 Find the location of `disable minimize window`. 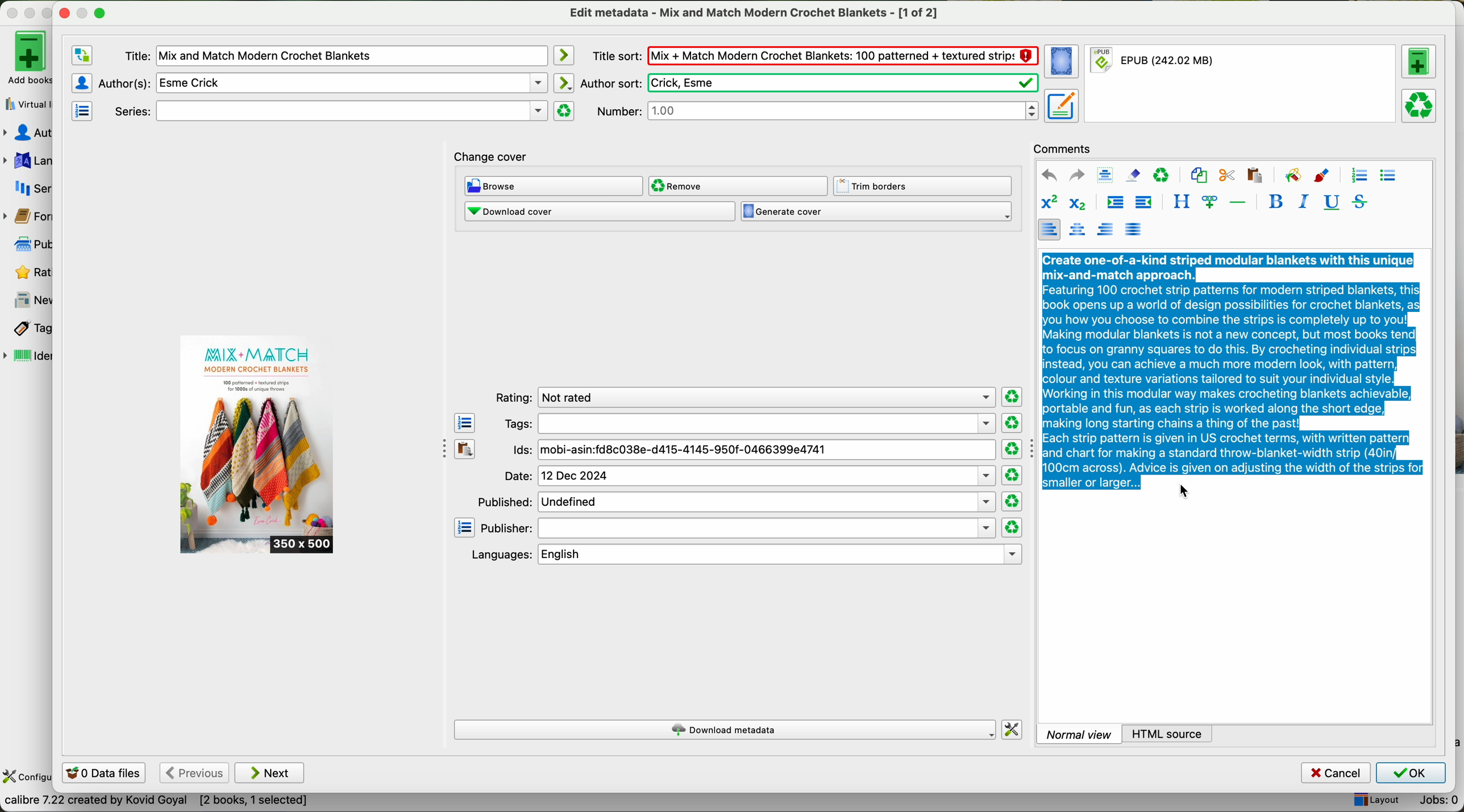

disable minimize window is located at coordinates (86, 12).